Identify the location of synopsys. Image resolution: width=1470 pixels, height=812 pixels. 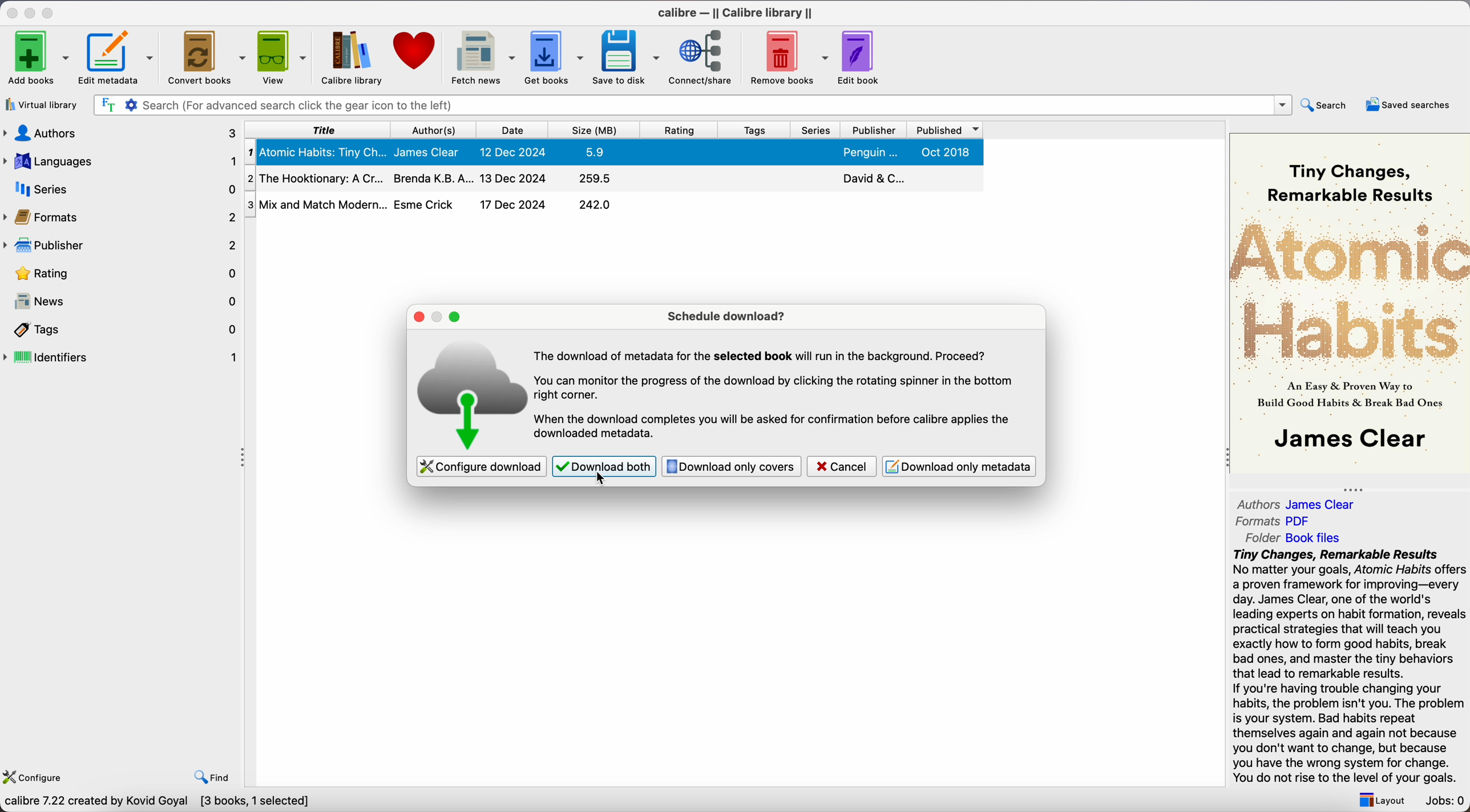
(1350, 665).